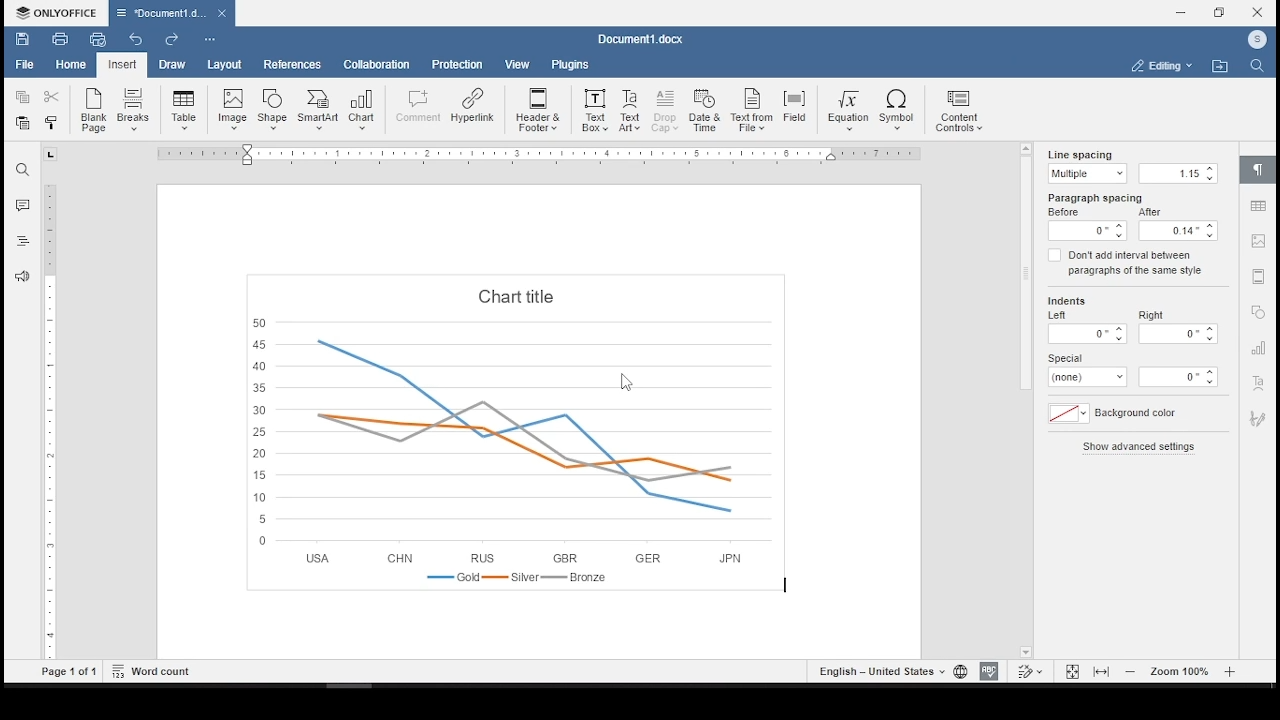 This screenshot has width=1280, height=720. I want to click on new blank page, so click(95, 110).